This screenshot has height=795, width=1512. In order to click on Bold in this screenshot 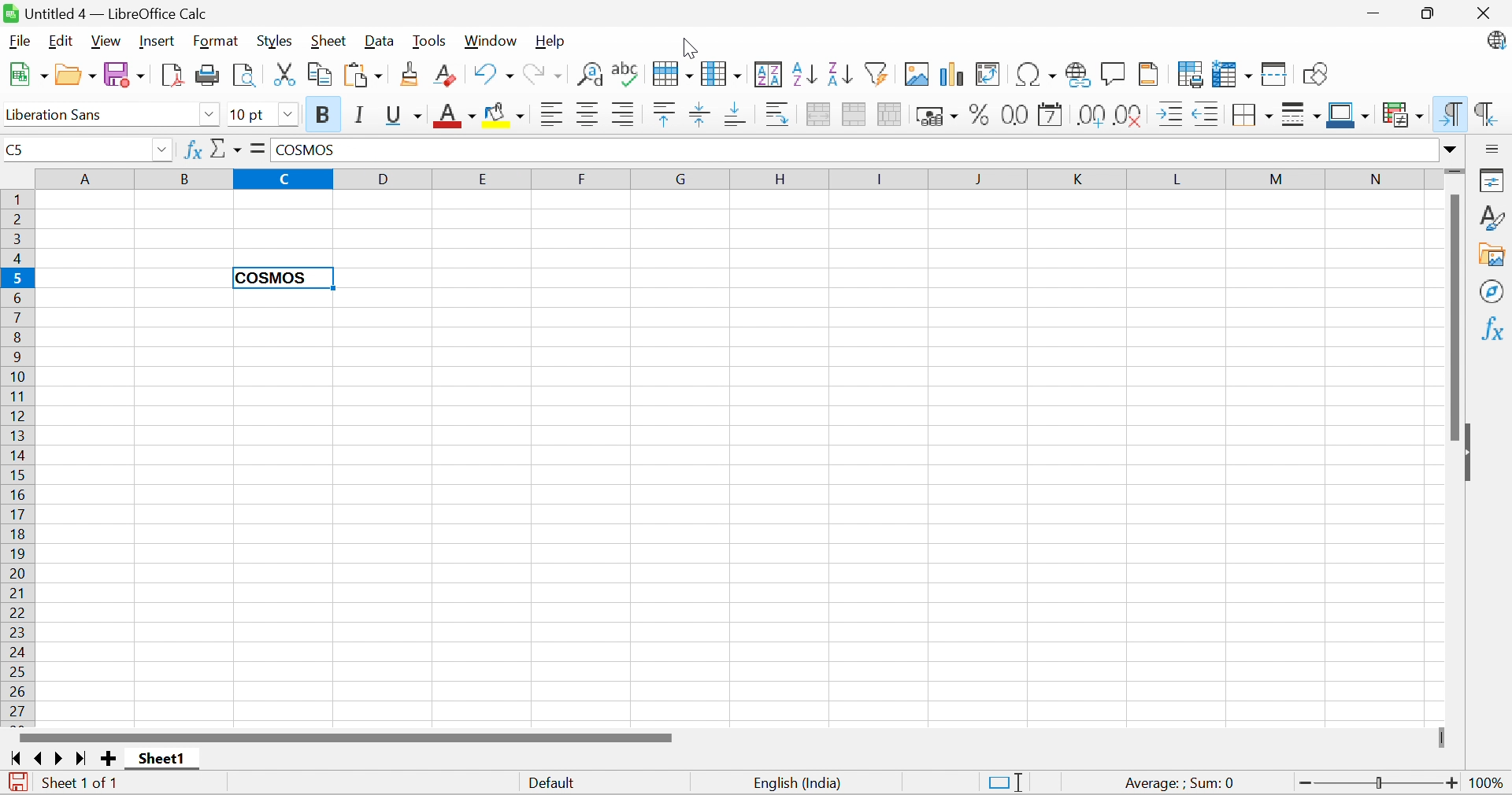, I will do `click(325, 114)`.